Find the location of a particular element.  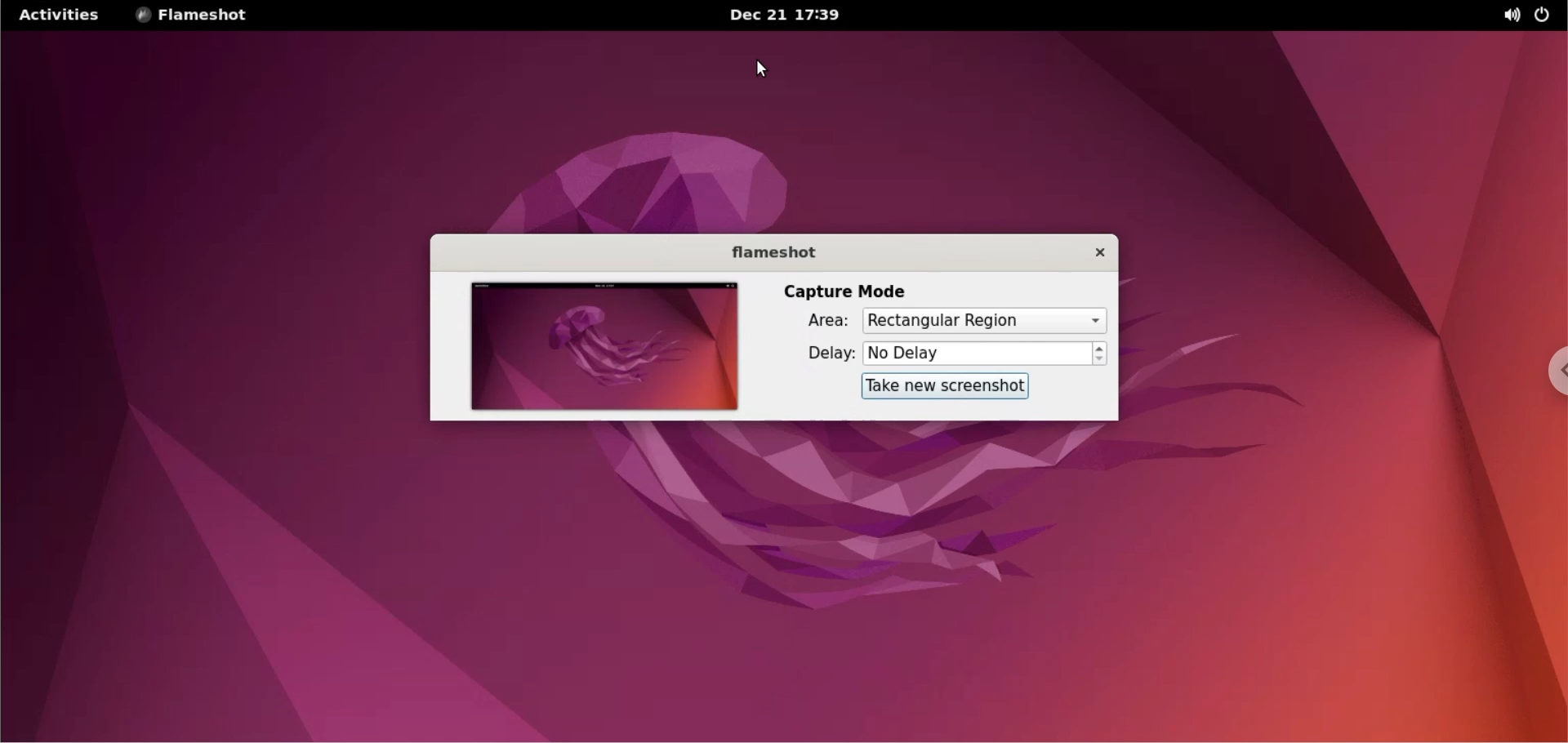

delay time is located at coordinates (977, 353).